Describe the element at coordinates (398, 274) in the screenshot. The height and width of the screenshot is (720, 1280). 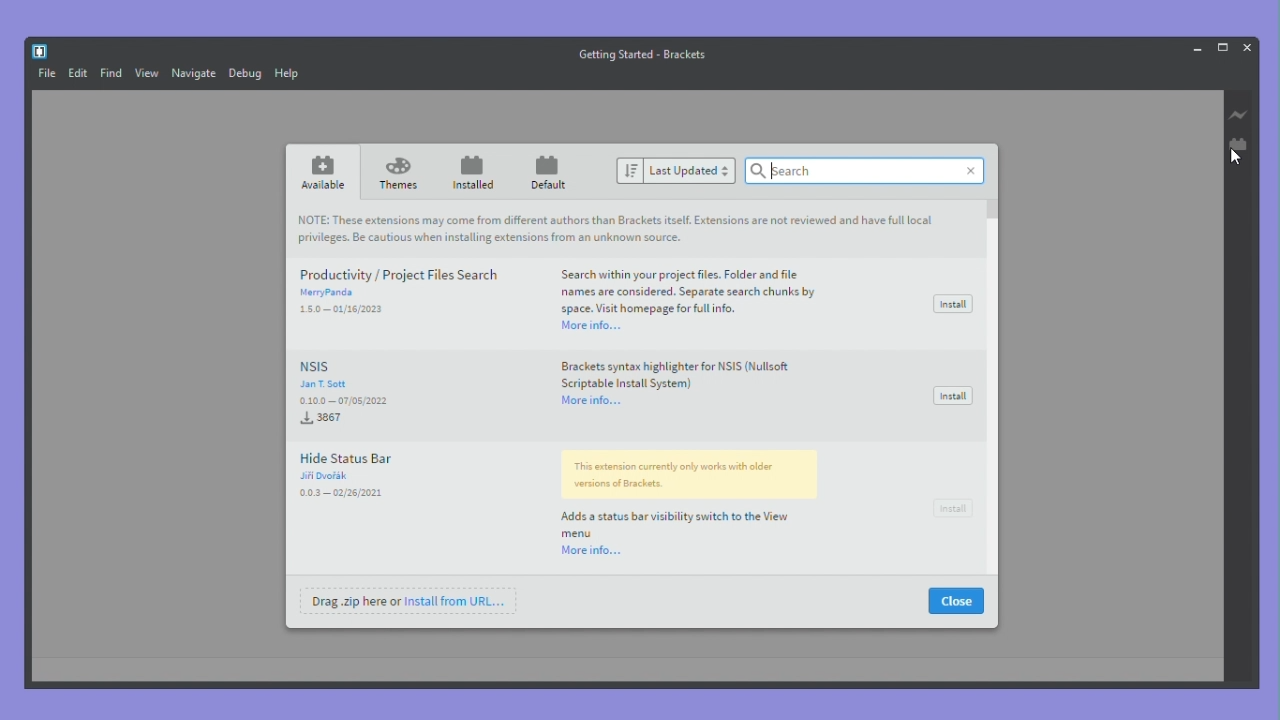
I see `Extension name productivity / project file search` at that location.